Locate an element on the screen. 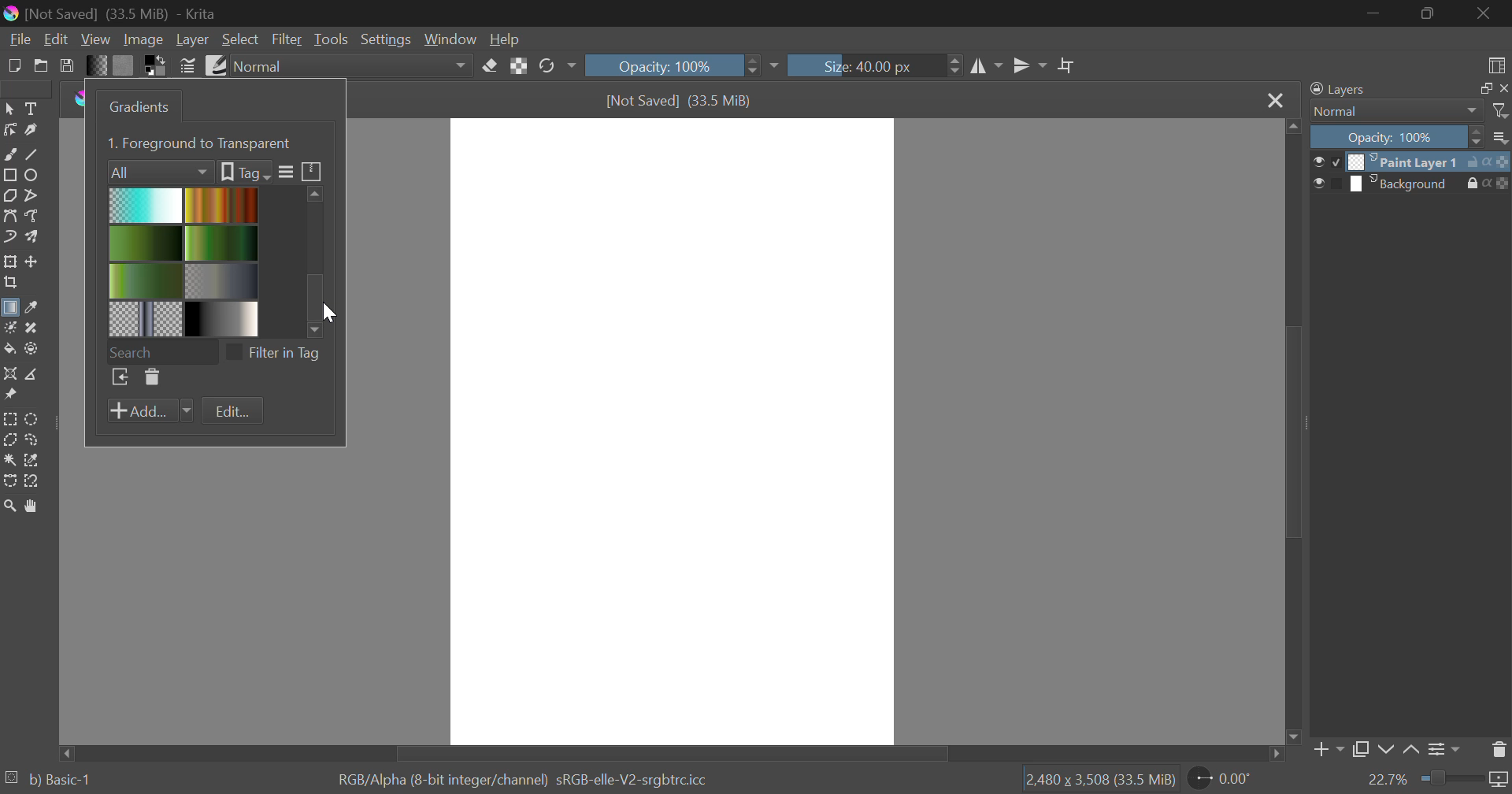 The height and width of the screenshot is (794, 1512). Add... is located at coordinates (150, 411).